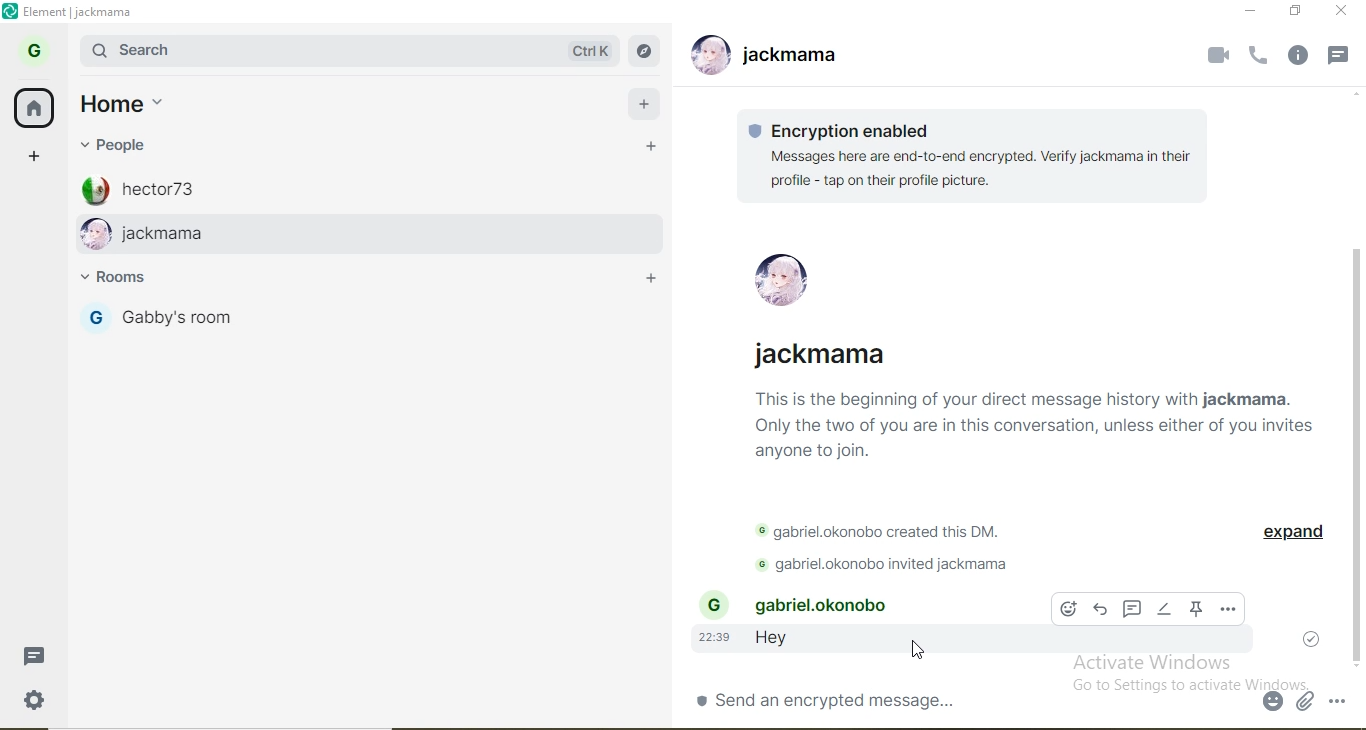  Describe the element at coordinates (304, 50) in the screenshot. I see `search bar` at that location.